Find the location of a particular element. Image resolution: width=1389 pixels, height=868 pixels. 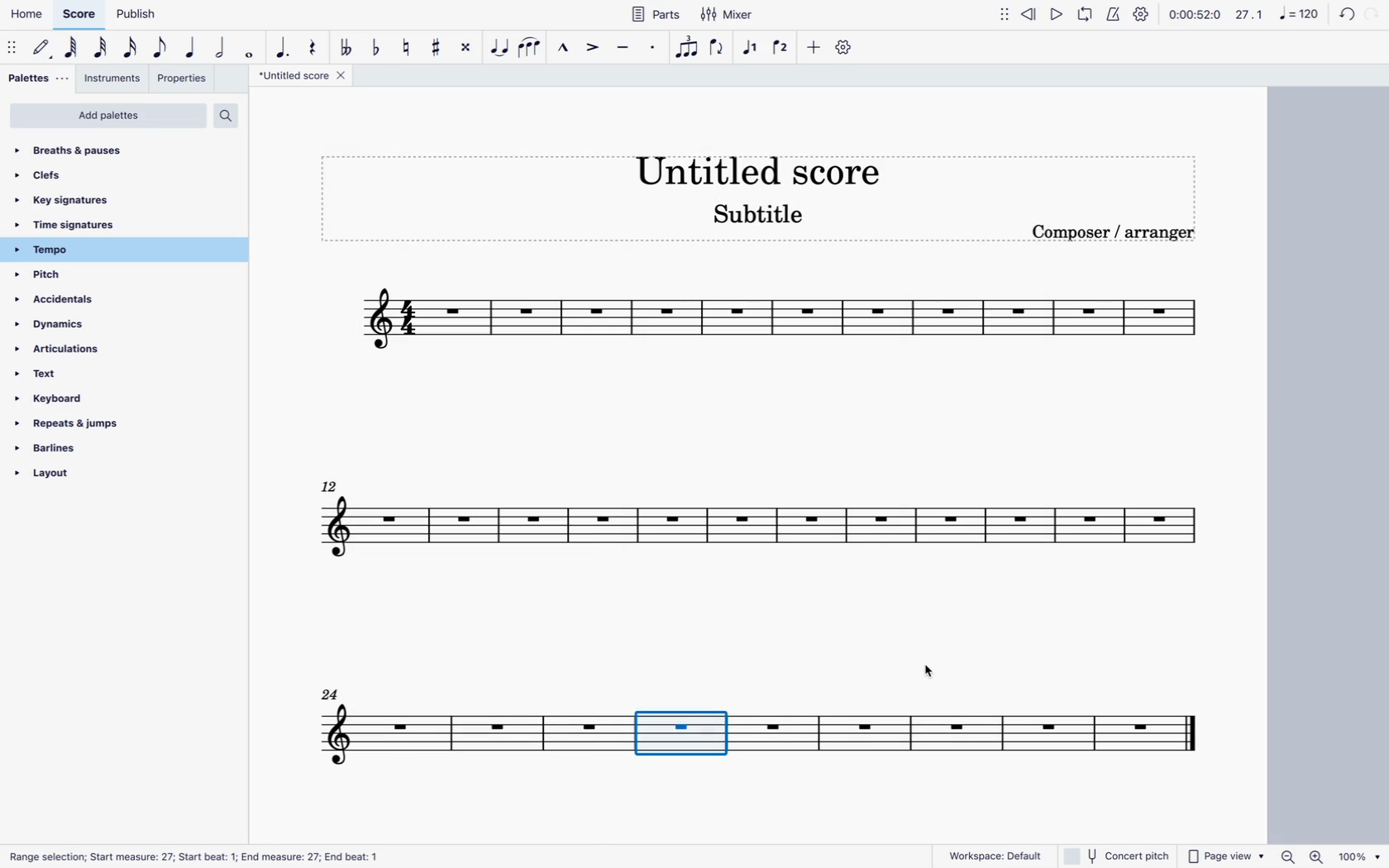

score is located at coordinates (81, 13).